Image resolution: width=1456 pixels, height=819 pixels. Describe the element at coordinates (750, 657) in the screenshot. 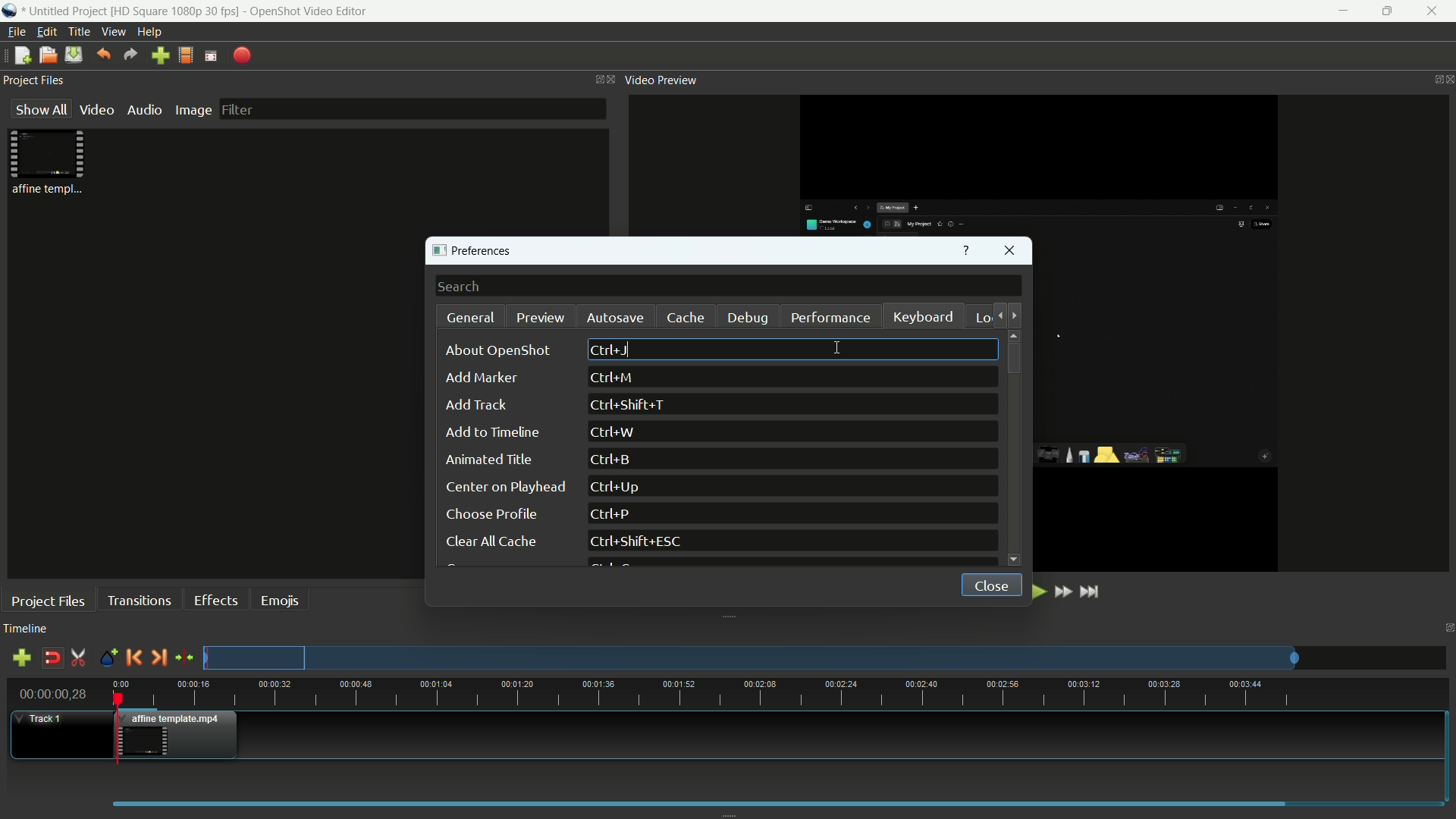

I see `preview track` at that location.